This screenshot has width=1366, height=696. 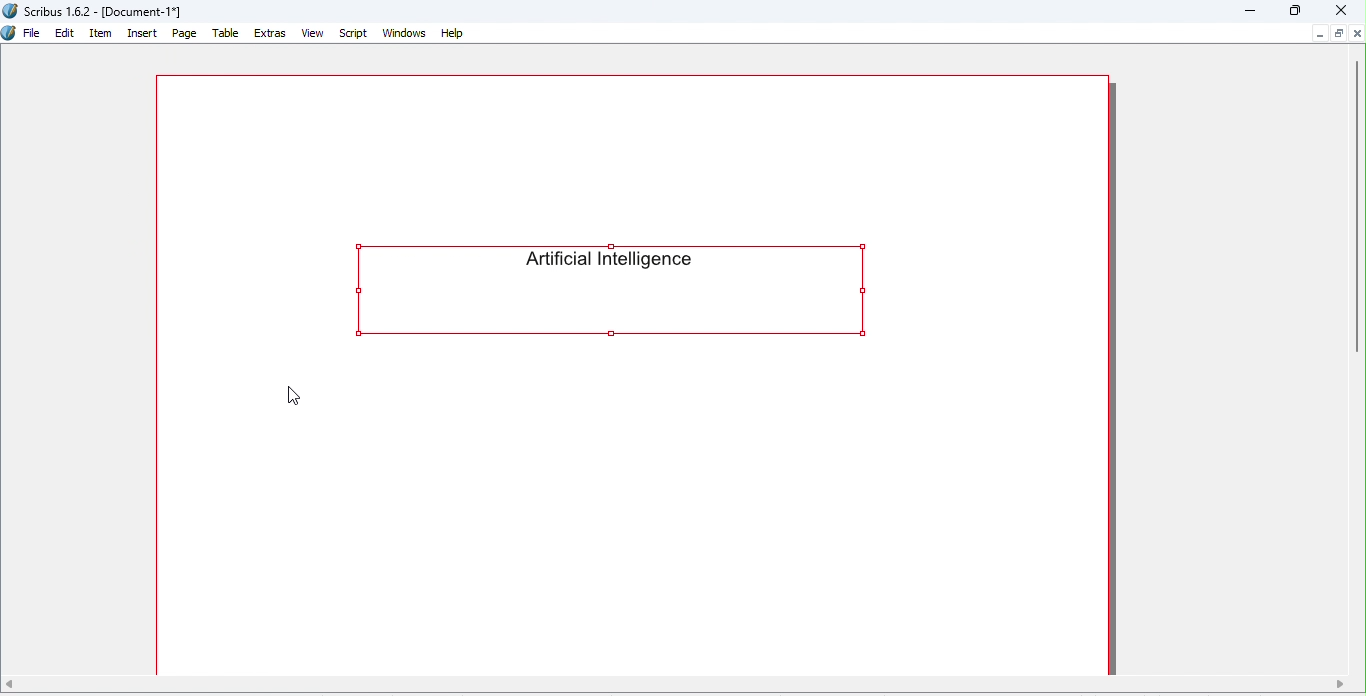 What do you see at coordinates (1250, 11) in the screenshot?
I see `Minimize` at bounding box center [1250, 11].